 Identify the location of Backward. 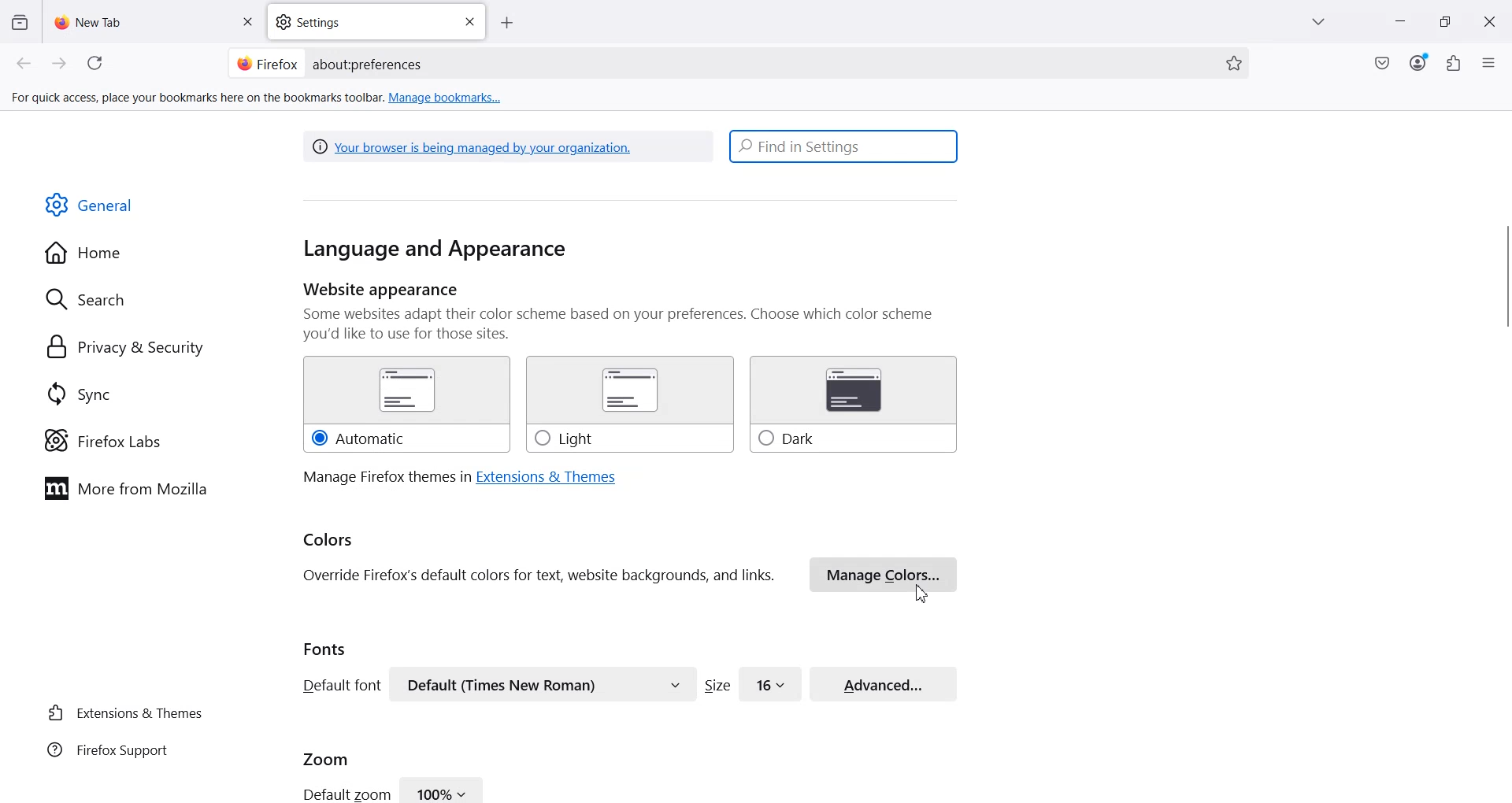
(25, 64).